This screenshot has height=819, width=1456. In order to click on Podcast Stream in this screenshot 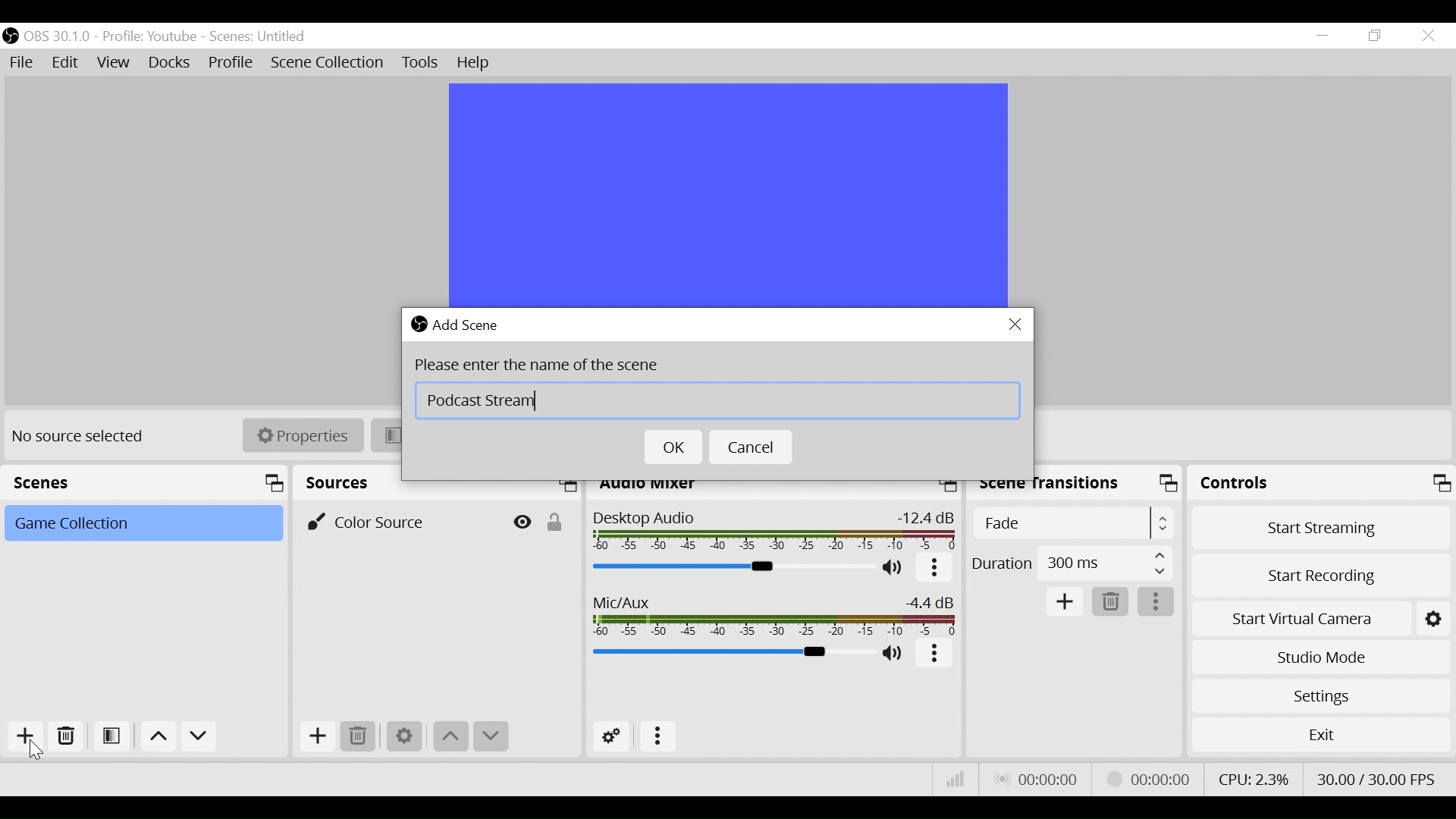, I will do `click(716, 400)`.